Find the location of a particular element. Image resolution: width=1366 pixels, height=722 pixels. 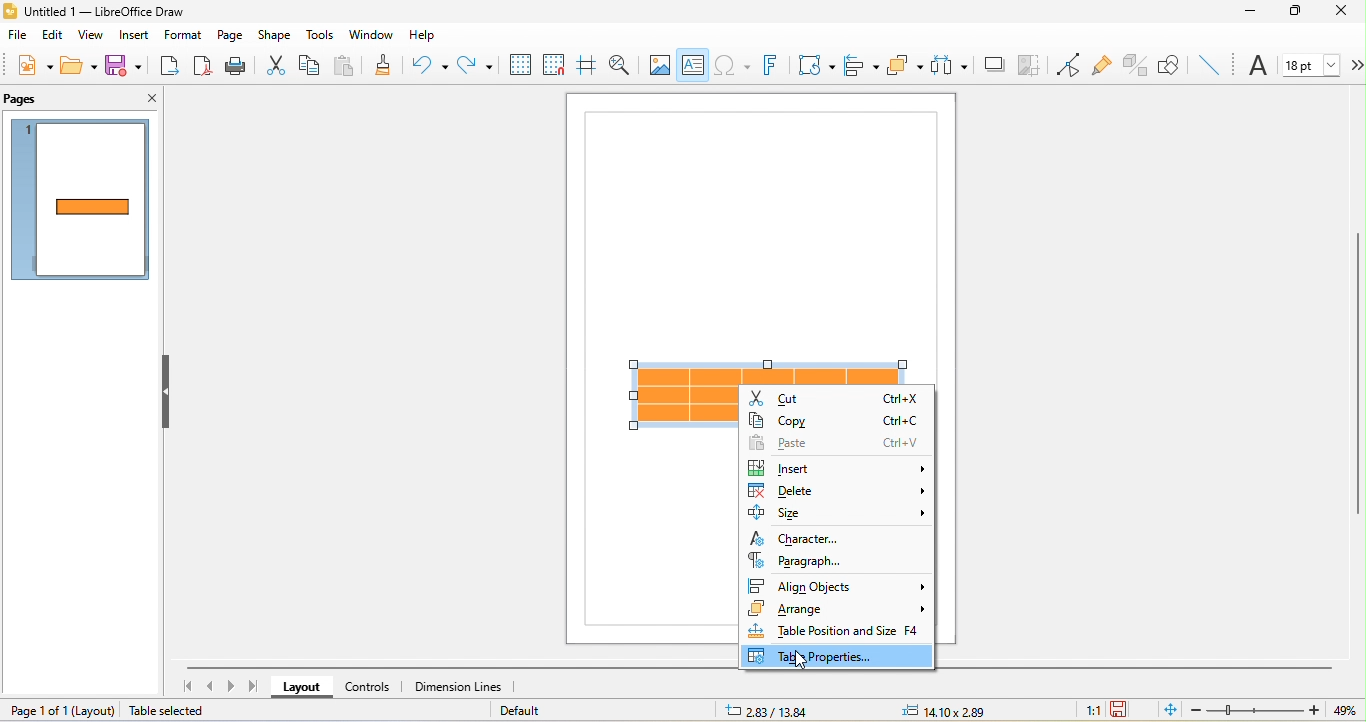

arrange is located at coordinates (905, 64).